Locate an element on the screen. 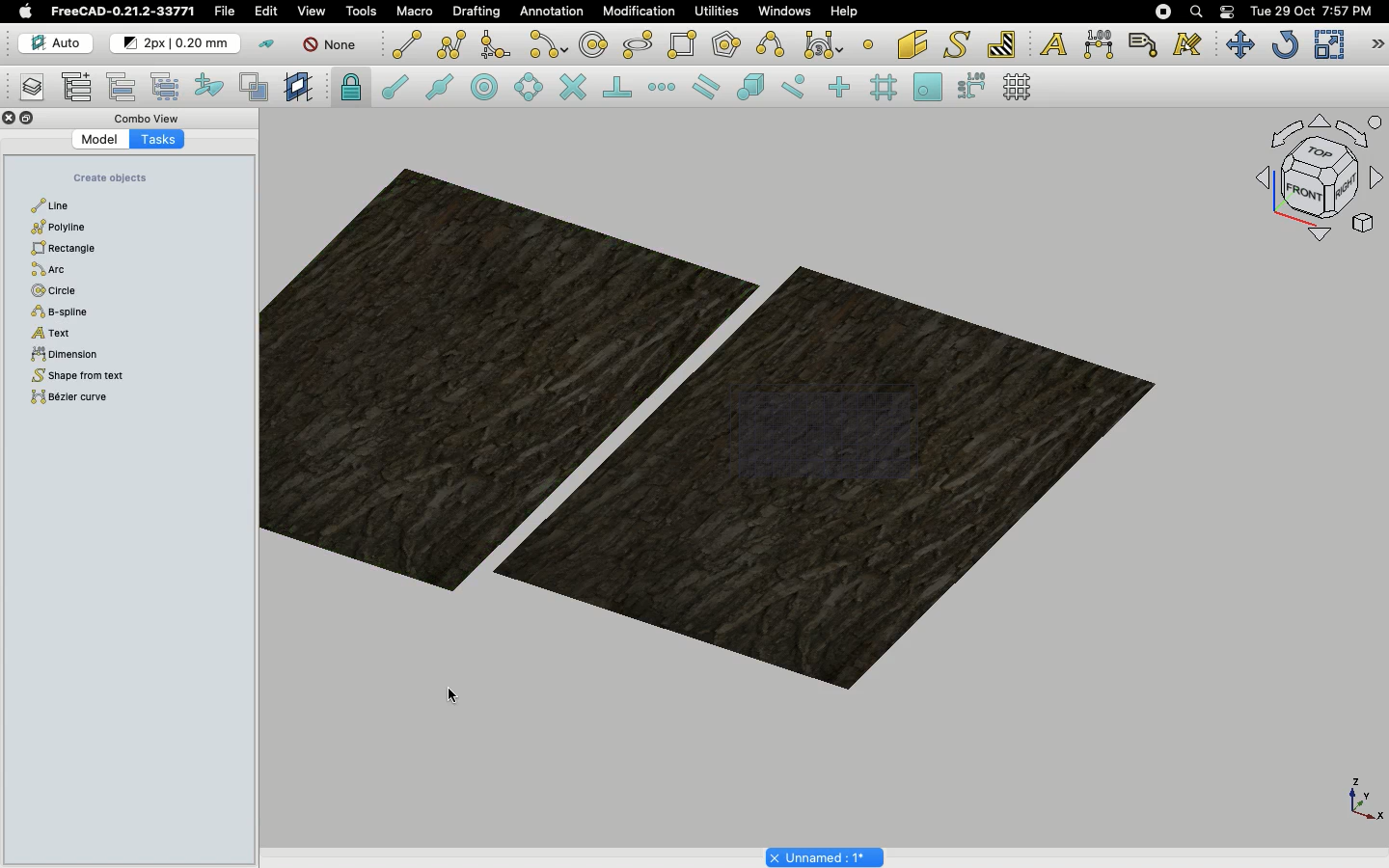  Snap grid is located at coordinates (885, 88).